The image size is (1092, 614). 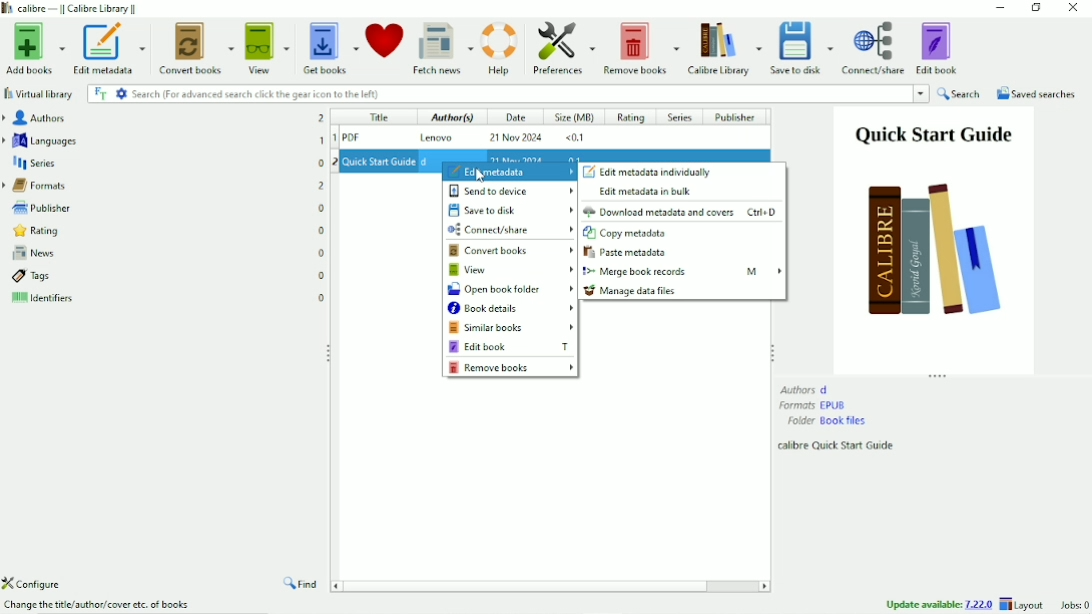 What do you see at coordinates (724, 47) in the screenshot?
I see `Calibre library` at bounding box center [724, 47].